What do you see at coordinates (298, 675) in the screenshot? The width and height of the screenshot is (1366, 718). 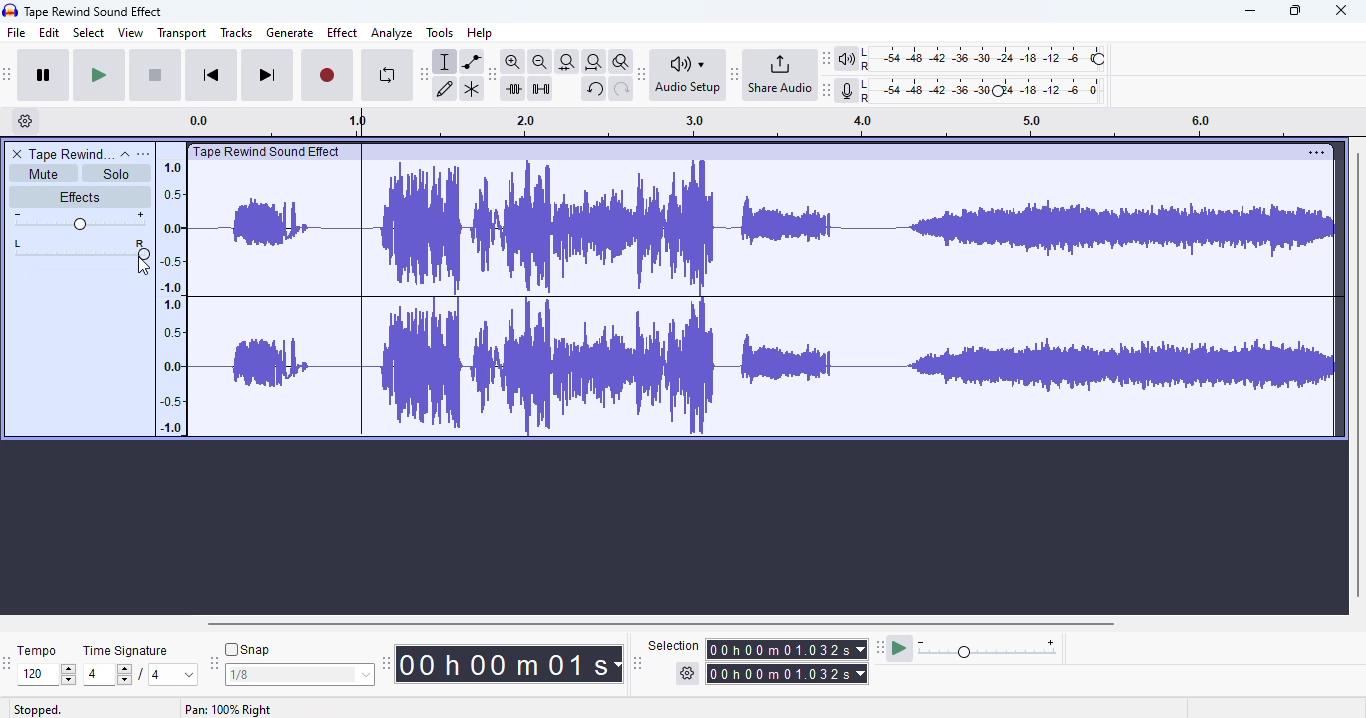 I see `1/8` at bounding box center [298, 675].